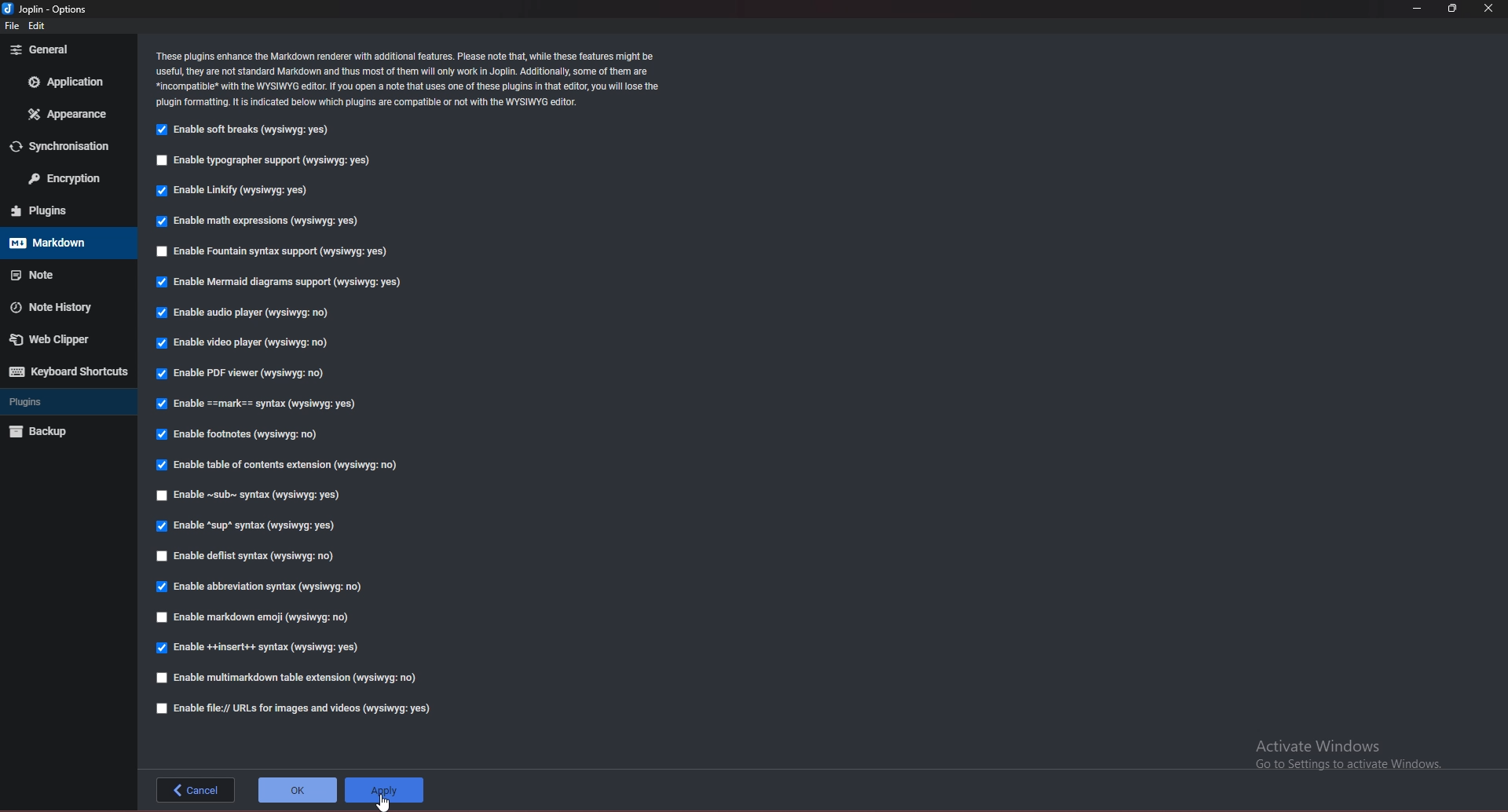 Image resolution: width=1508 pixels, height=812 pixels. I want to click on enable footnotes, so click(245, 433).